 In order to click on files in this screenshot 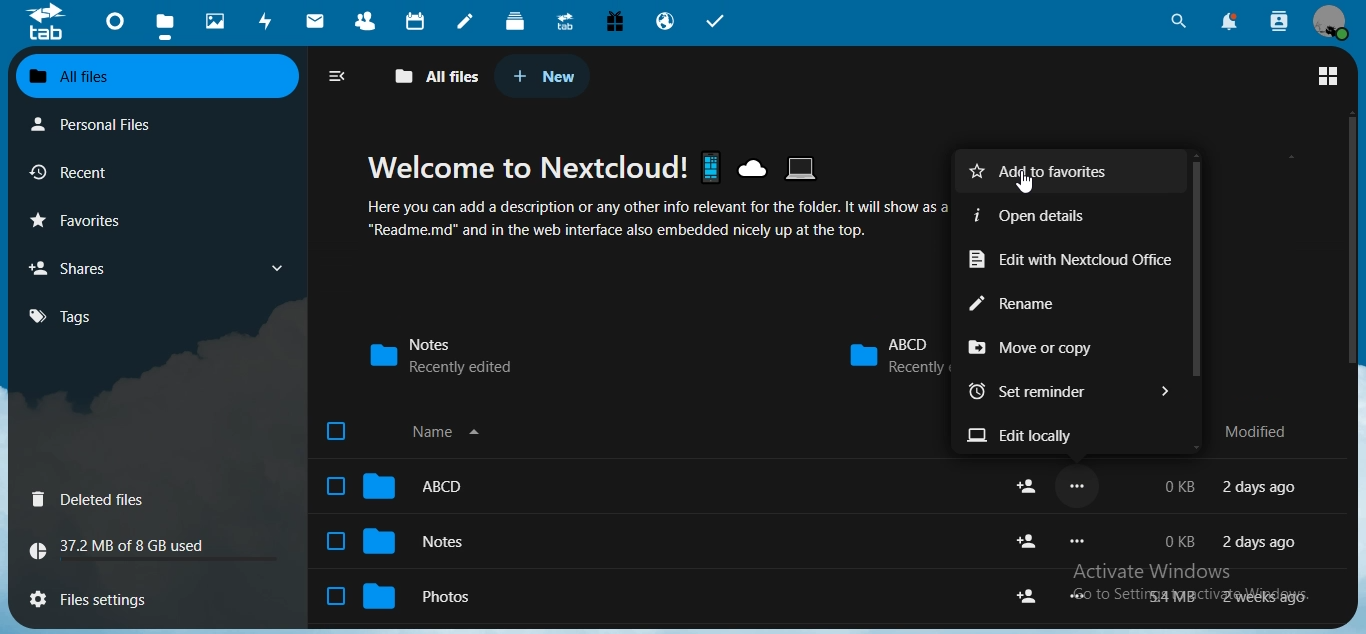, I will do `click(168, 19)`.